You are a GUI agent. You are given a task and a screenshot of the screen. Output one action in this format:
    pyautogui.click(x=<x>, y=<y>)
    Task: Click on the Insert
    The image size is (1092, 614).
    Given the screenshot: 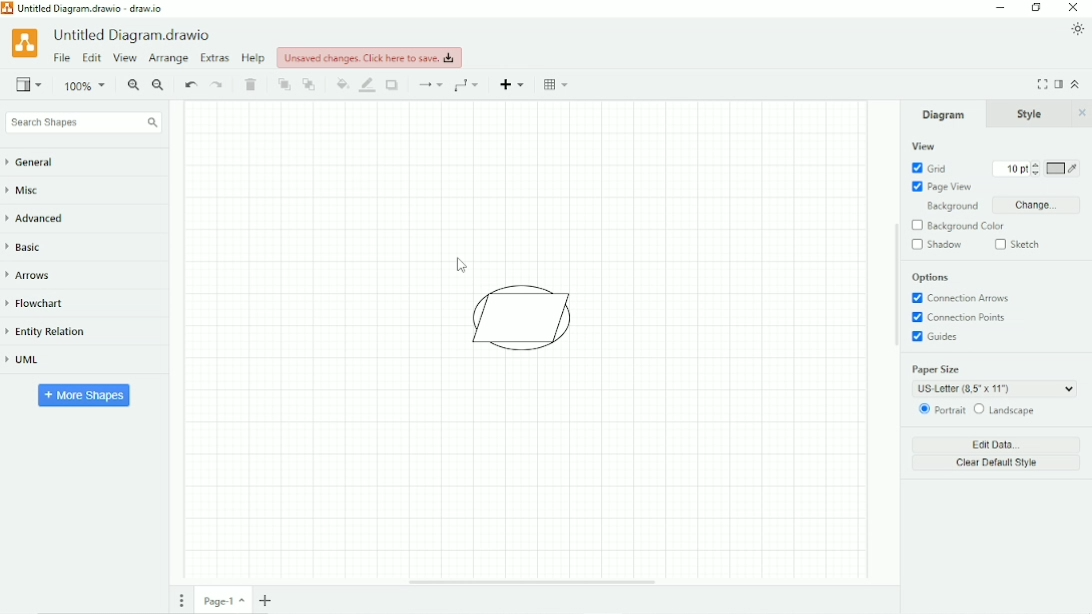 What is the action you would take?
    pyautogui.click(x=514, y=84)
    